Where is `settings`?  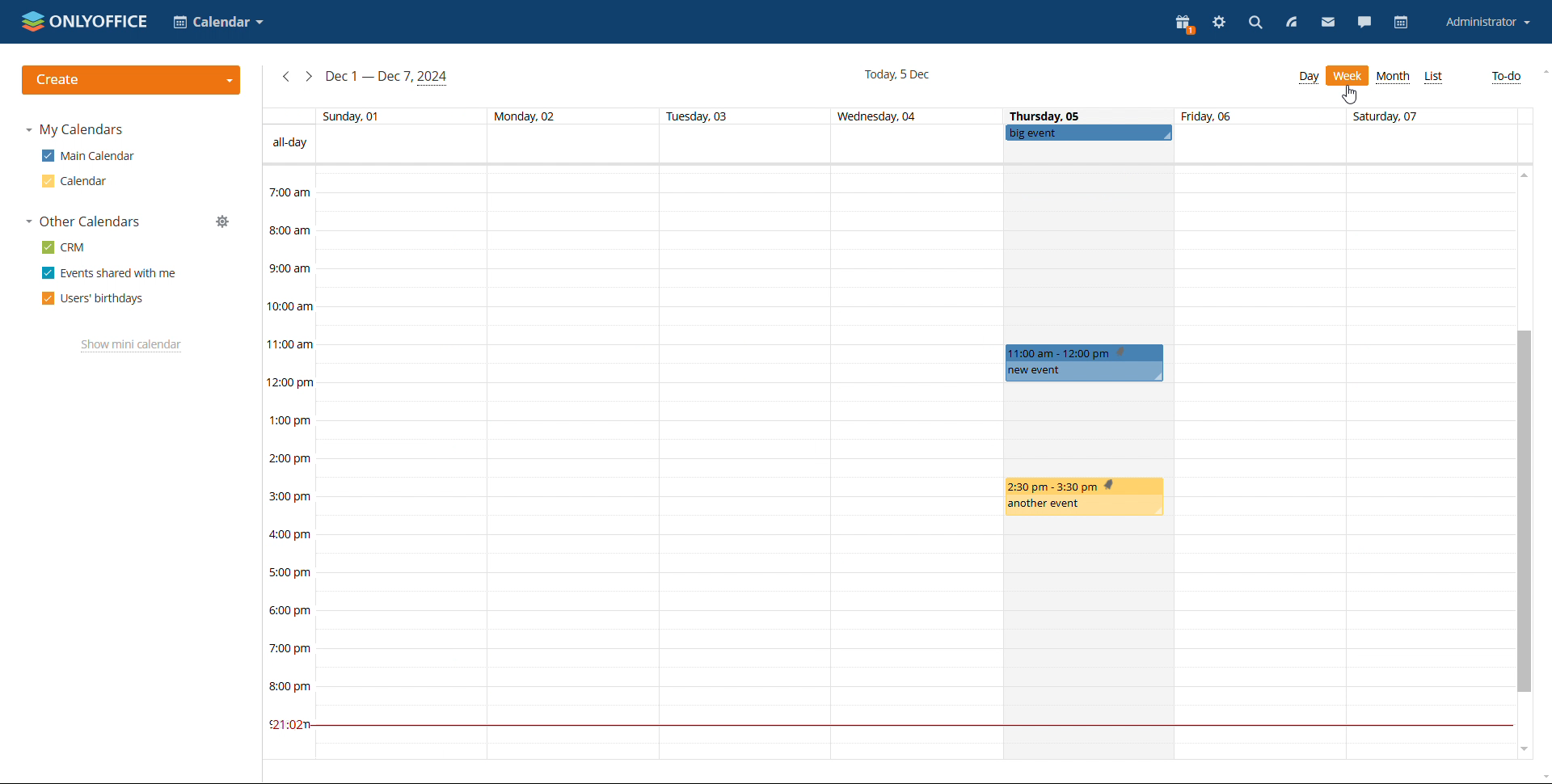
settings is located at coordinates (1217, 22).